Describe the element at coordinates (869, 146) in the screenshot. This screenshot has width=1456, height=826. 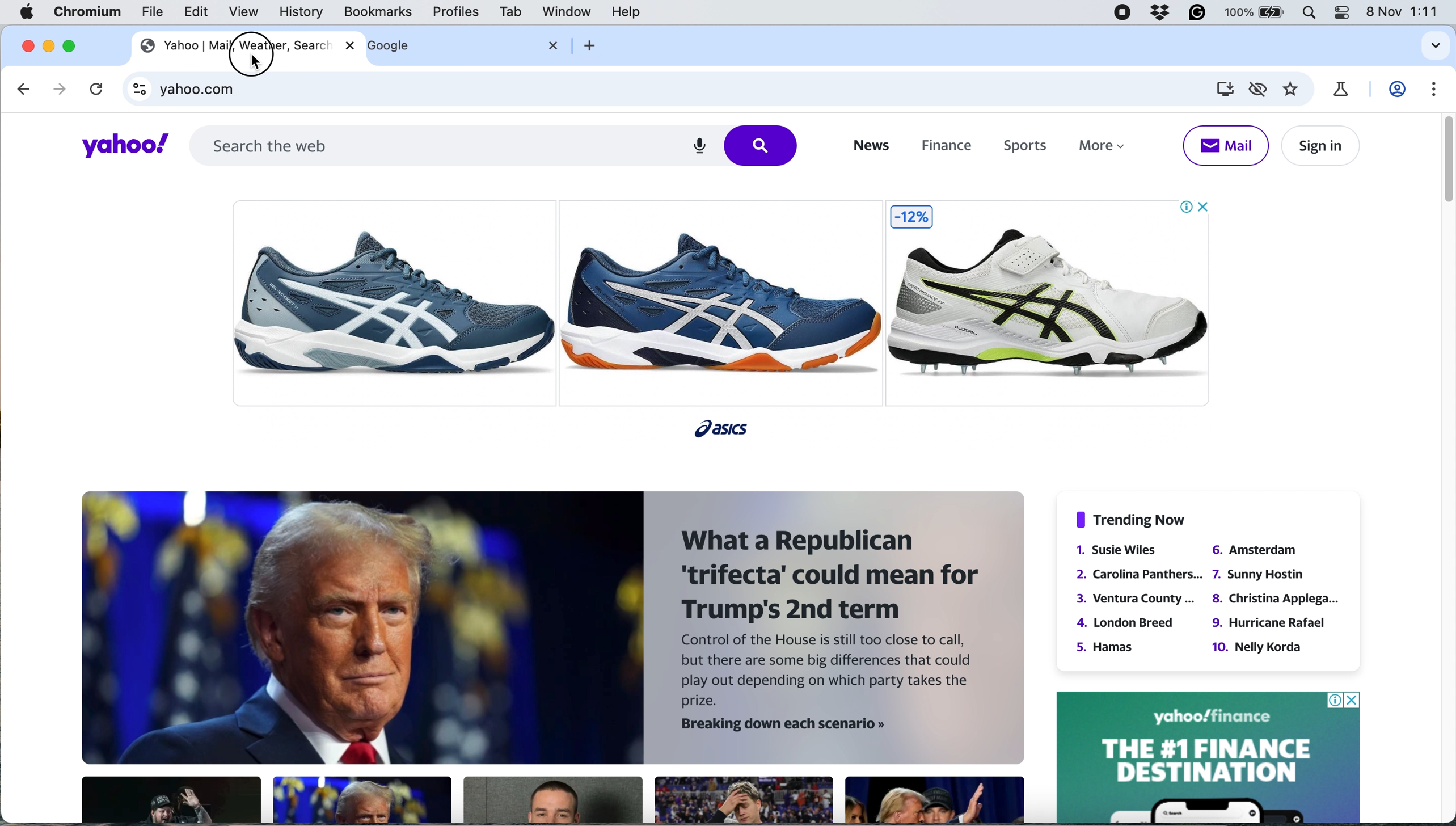
I see `news` at that location.